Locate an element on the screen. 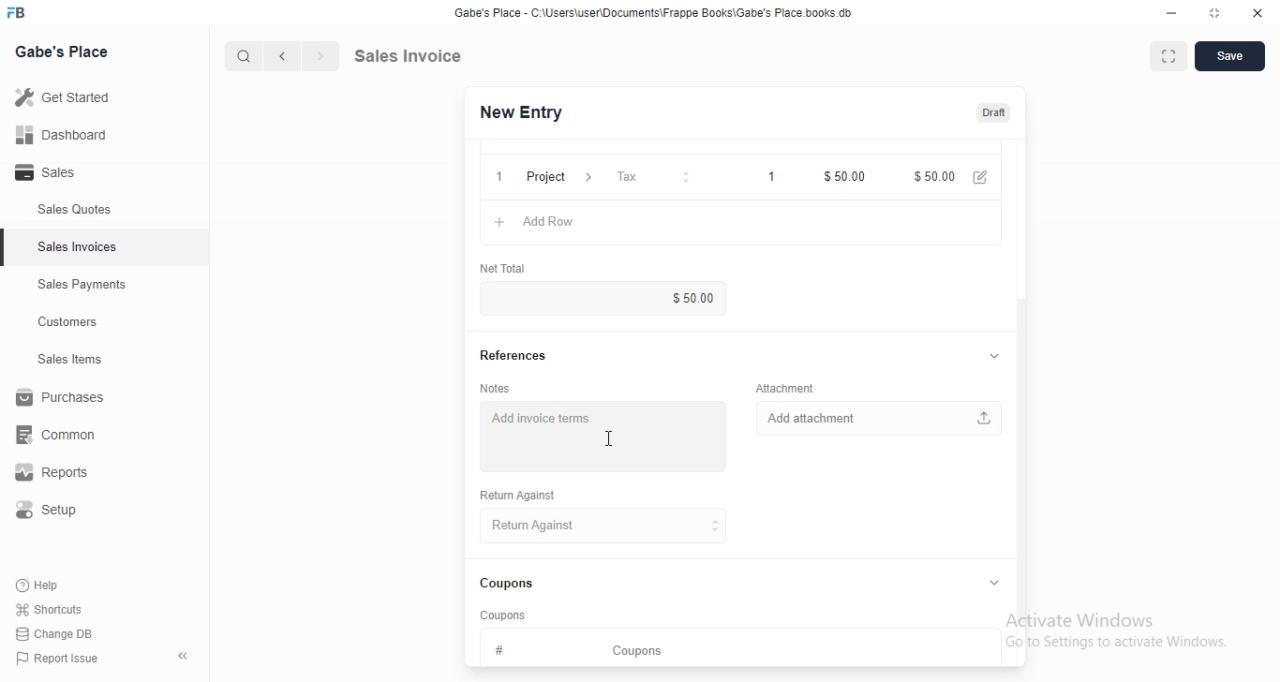 This screenshot has width=1280, height=682. References is located at coordinates (515, 354).